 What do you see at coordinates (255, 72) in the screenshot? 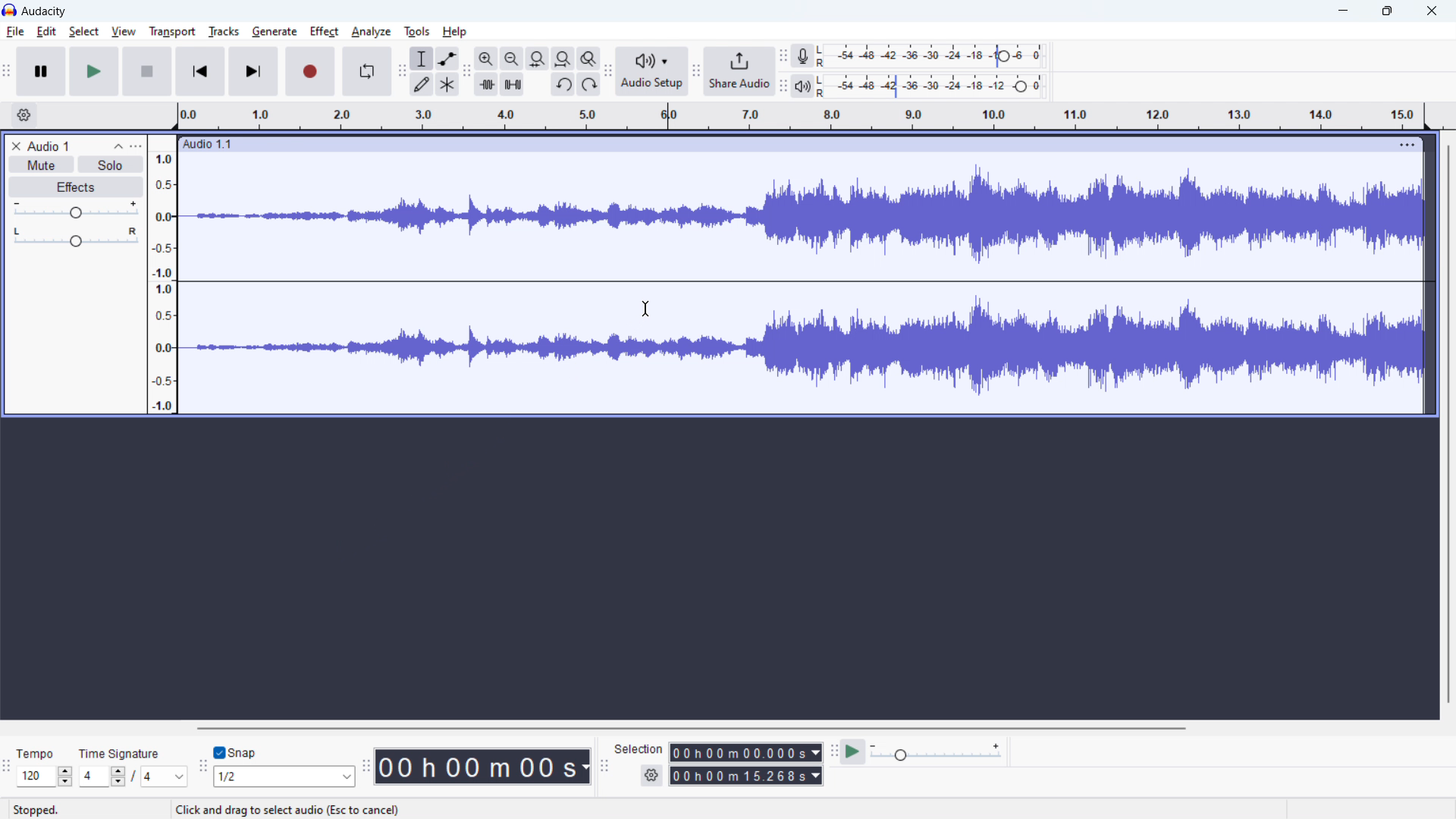
I see `skip to end` at bounding box center [255, 72].